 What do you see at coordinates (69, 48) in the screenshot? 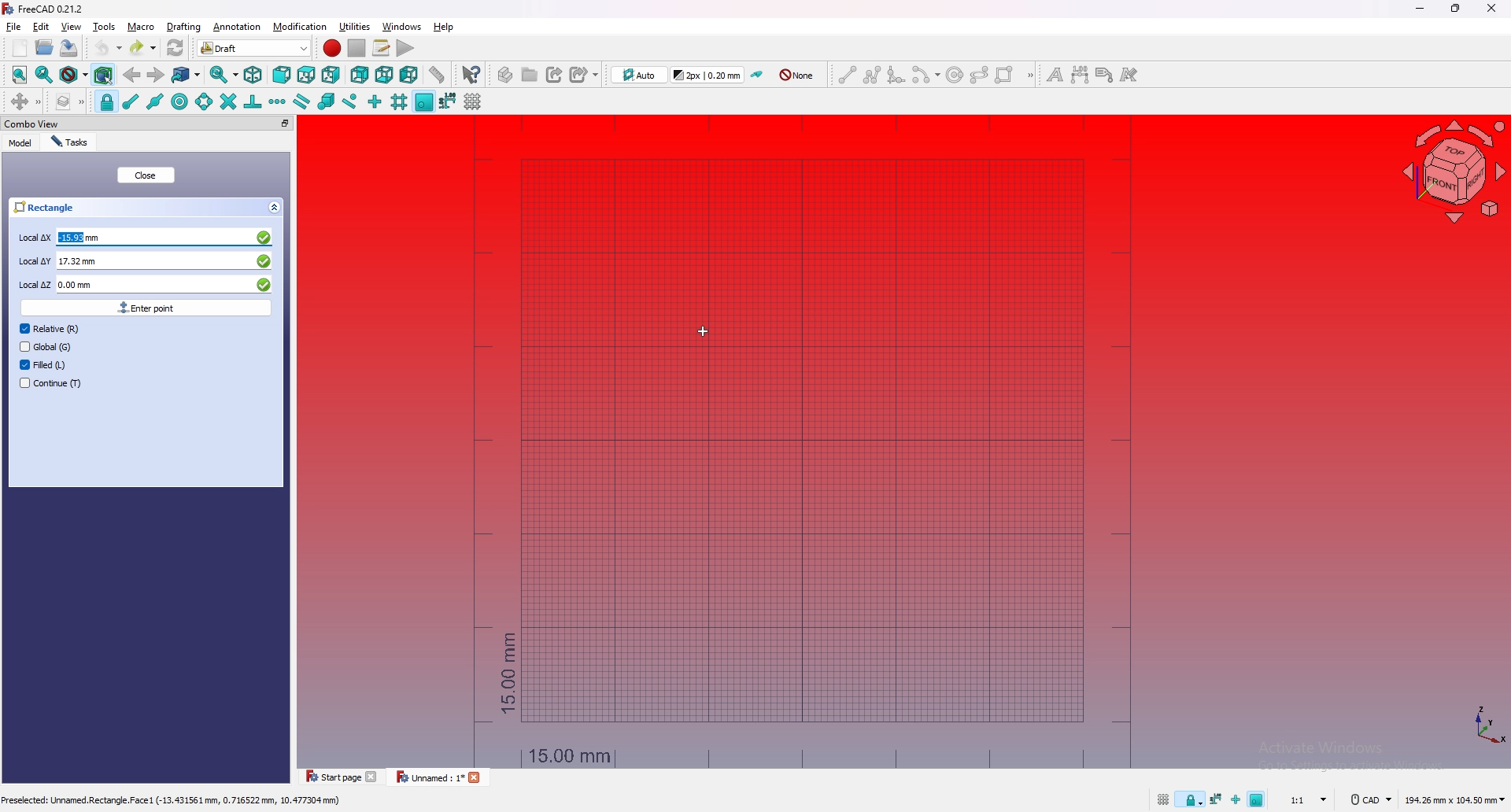
I see `save` at bounding box center [69, 48].